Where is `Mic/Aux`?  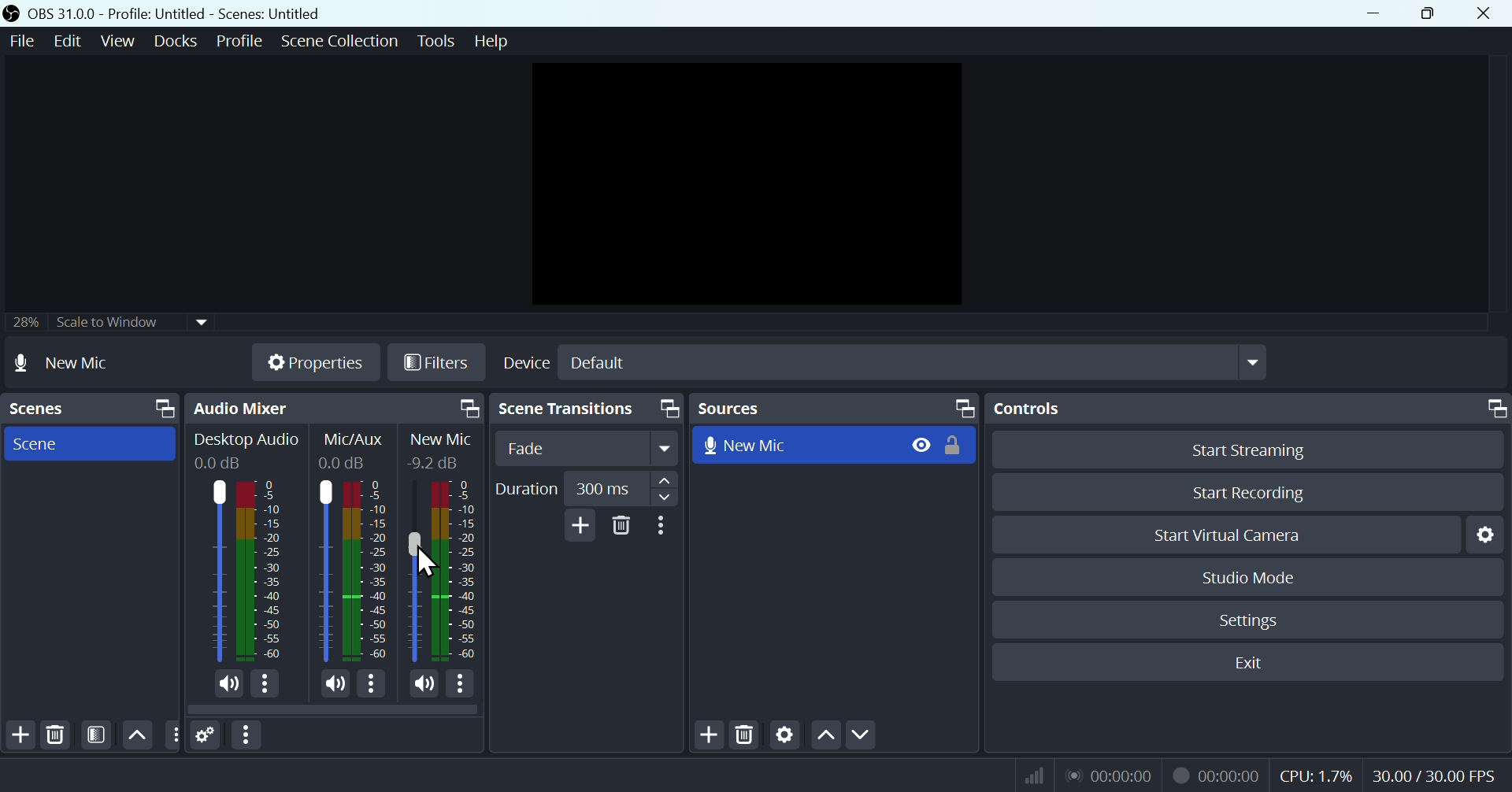
Mic/Aux is located at coordinates (324, 570).